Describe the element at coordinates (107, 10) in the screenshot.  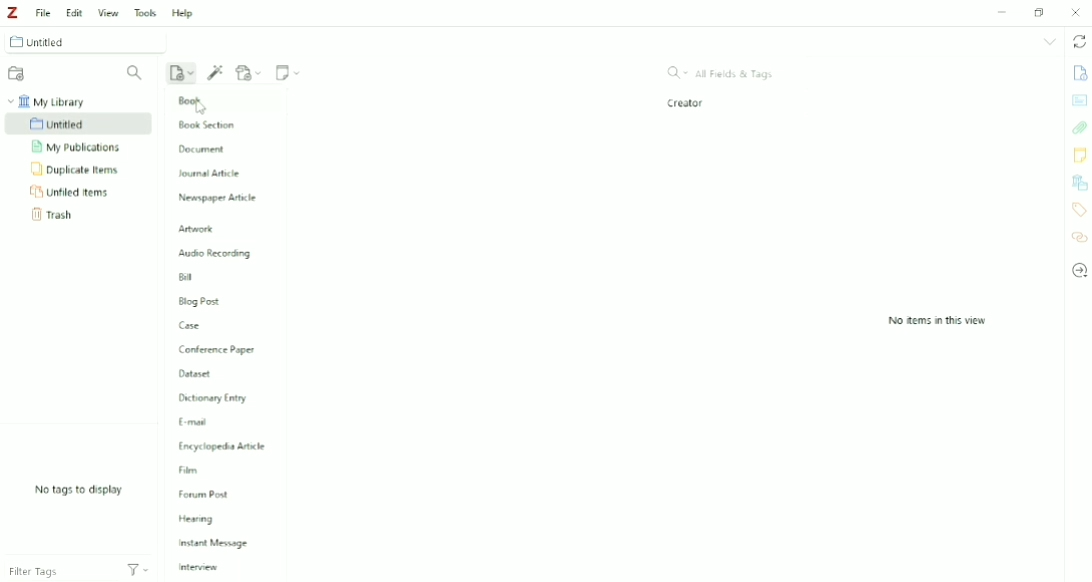
I see `View` at that location.